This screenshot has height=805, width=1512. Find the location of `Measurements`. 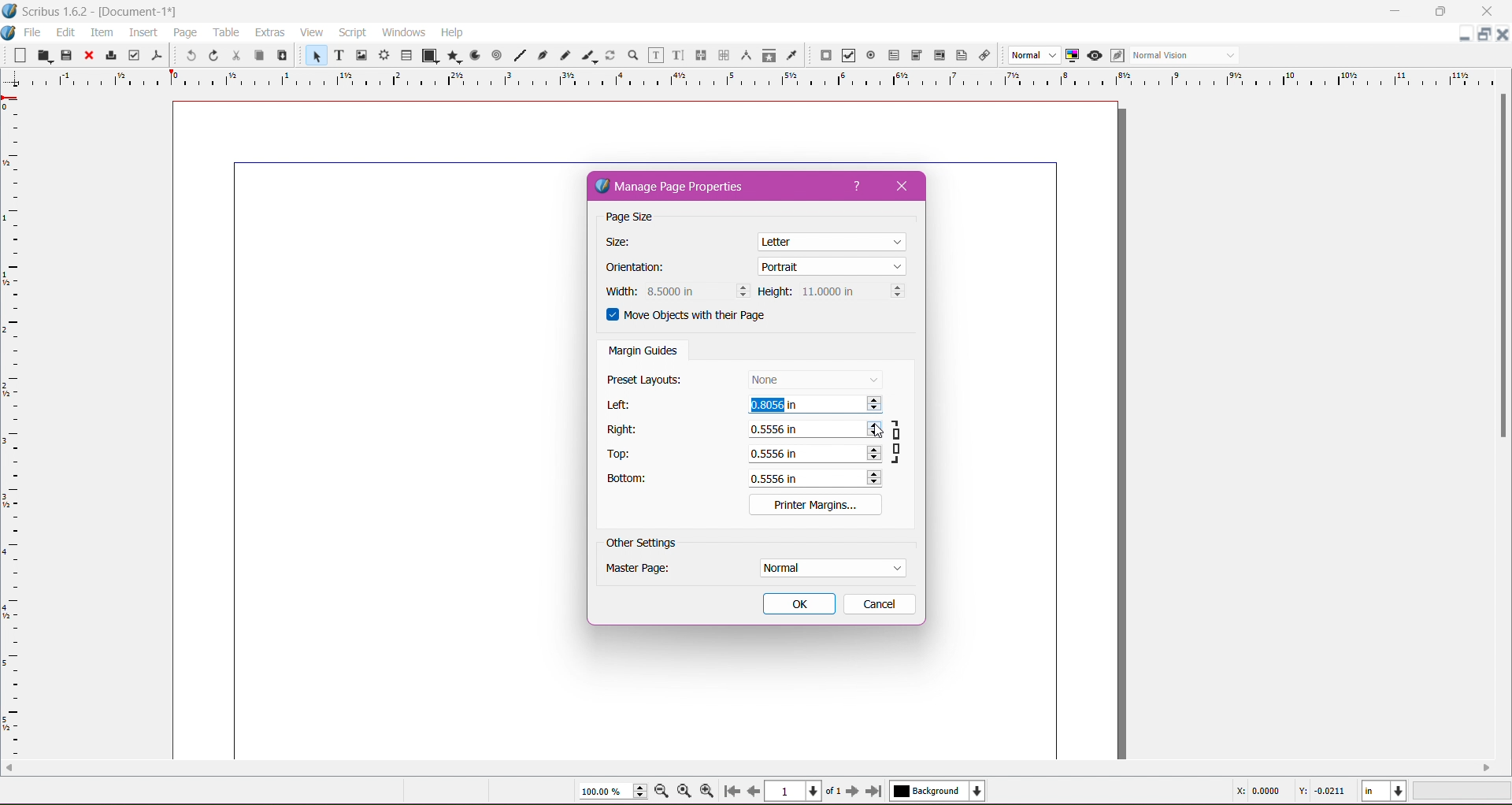

Measurements is located at coordinates (745, 55).